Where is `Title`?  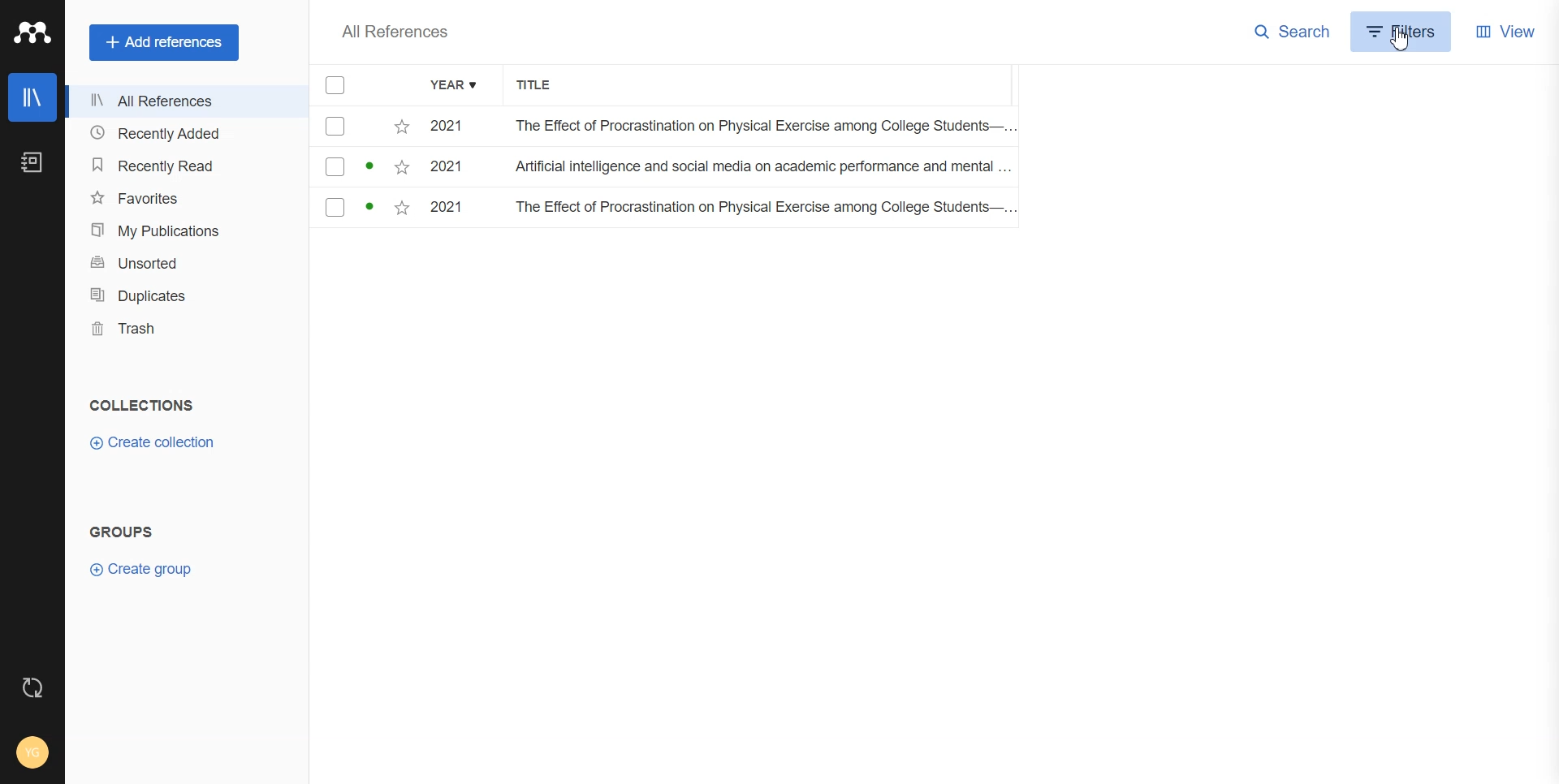 Title is located at coordinates (543, 86).